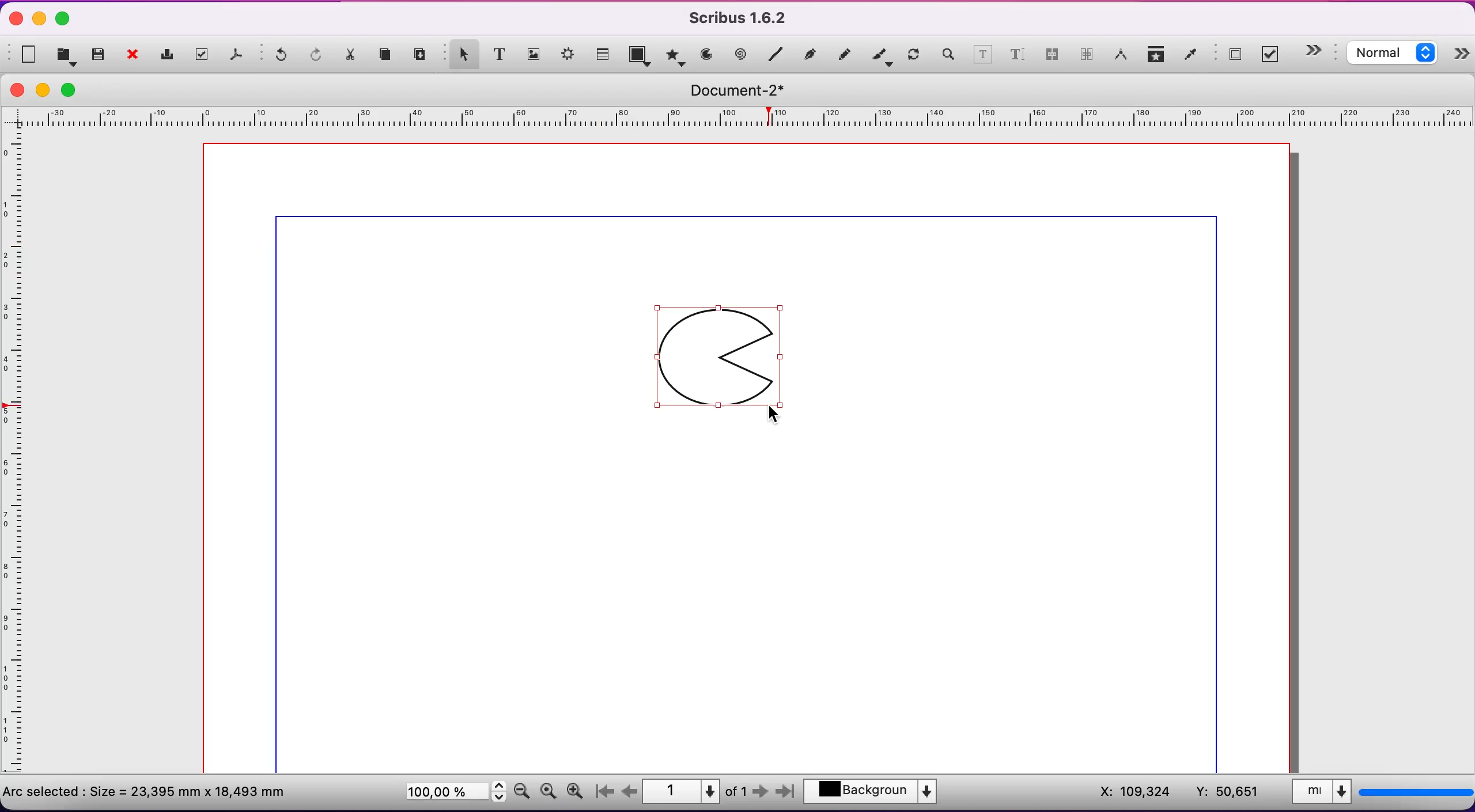 Image resolution: width=1475 pixels, height=812 pixels. I want to click on minimize, so click(40, 18).